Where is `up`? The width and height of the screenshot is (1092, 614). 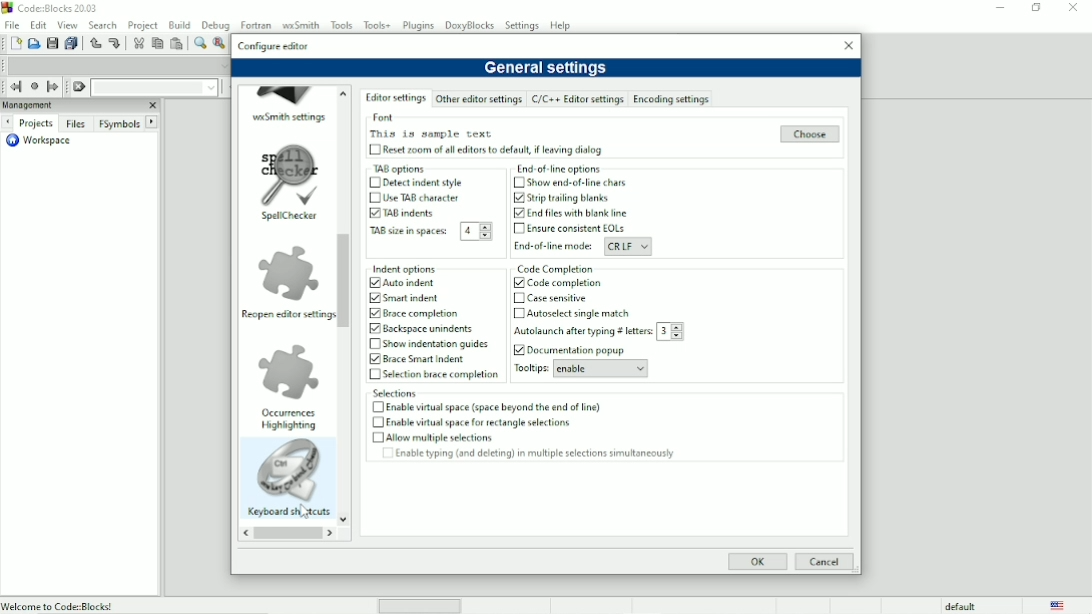
up is located at coordinates (342, 91).